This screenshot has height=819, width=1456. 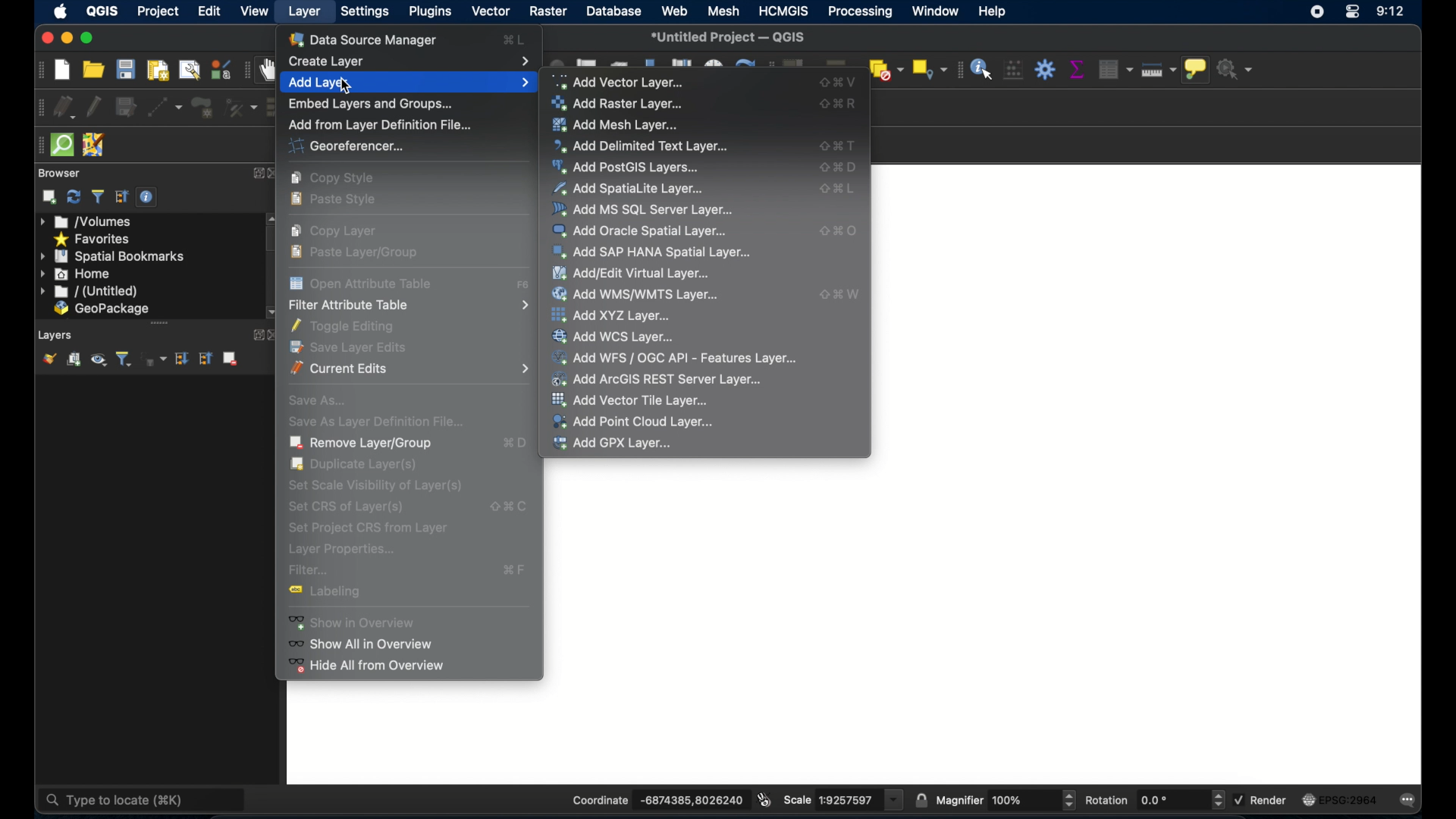 What do you see at coordinates (1317, 11) in the screenshot?
I see `screen recorder icon` at bounding box center [1317, 11].